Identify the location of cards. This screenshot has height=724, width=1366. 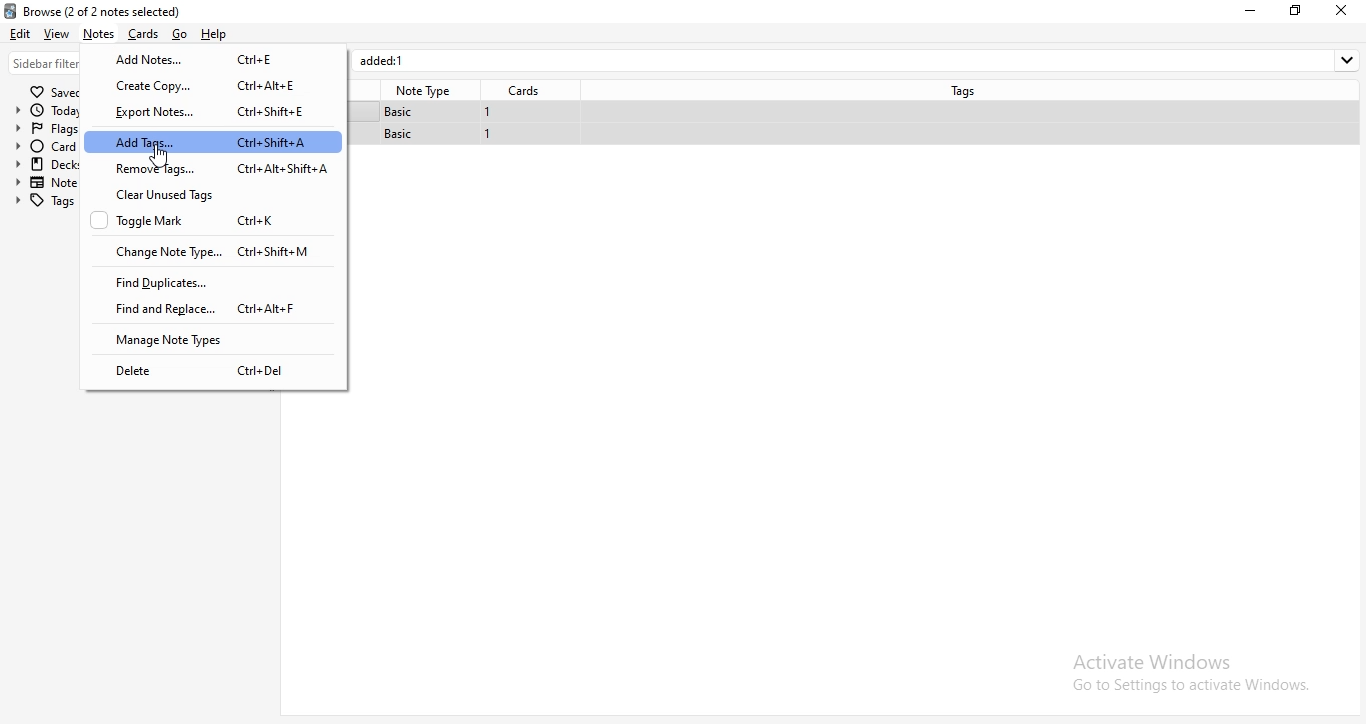
(141, 34).